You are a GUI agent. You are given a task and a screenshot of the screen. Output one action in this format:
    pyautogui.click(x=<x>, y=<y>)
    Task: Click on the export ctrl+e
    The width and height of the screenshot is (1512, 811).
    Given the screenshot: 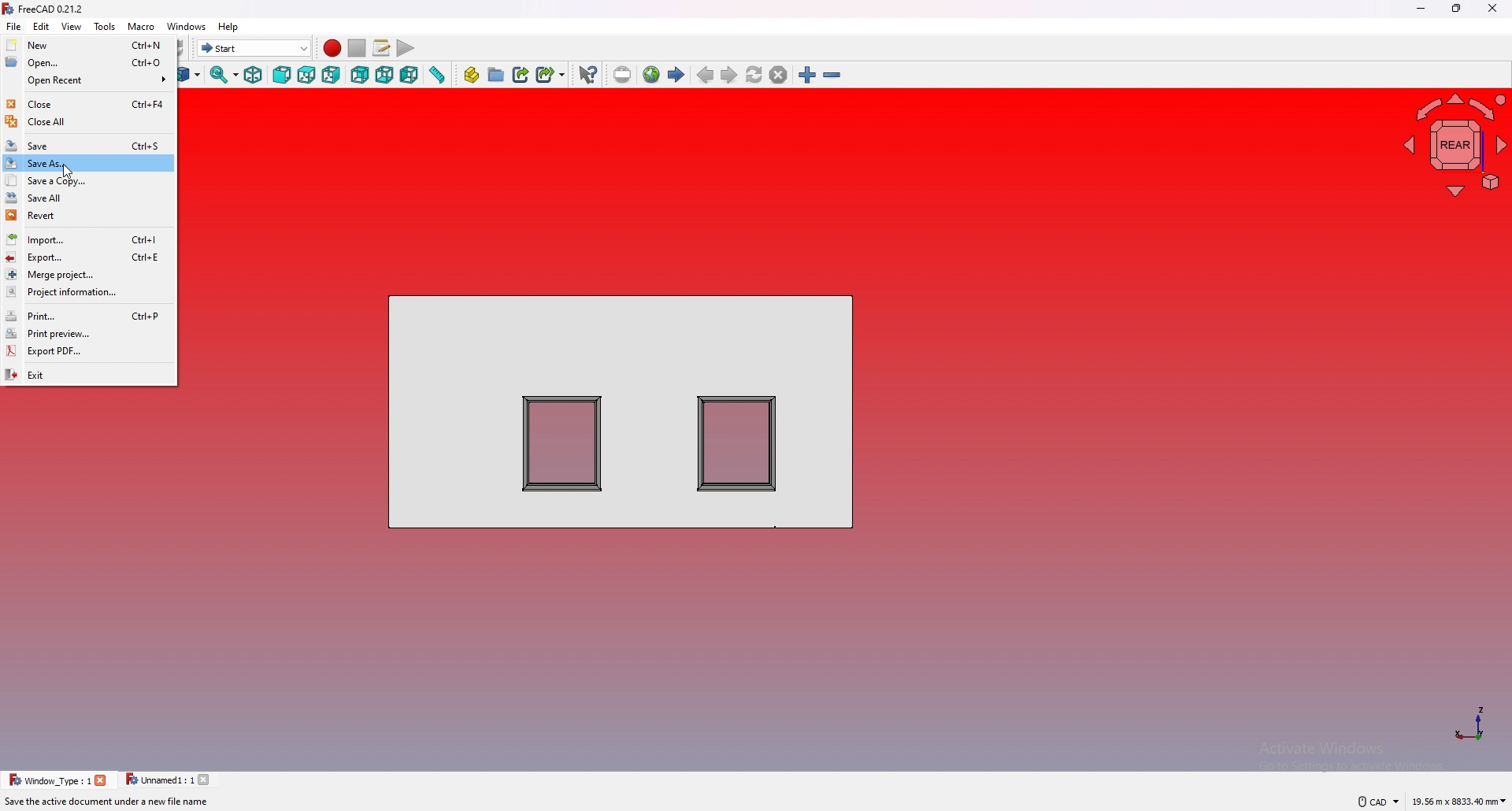 What is the action you would take?
    pyautogui.click(x=89, y=257)
    